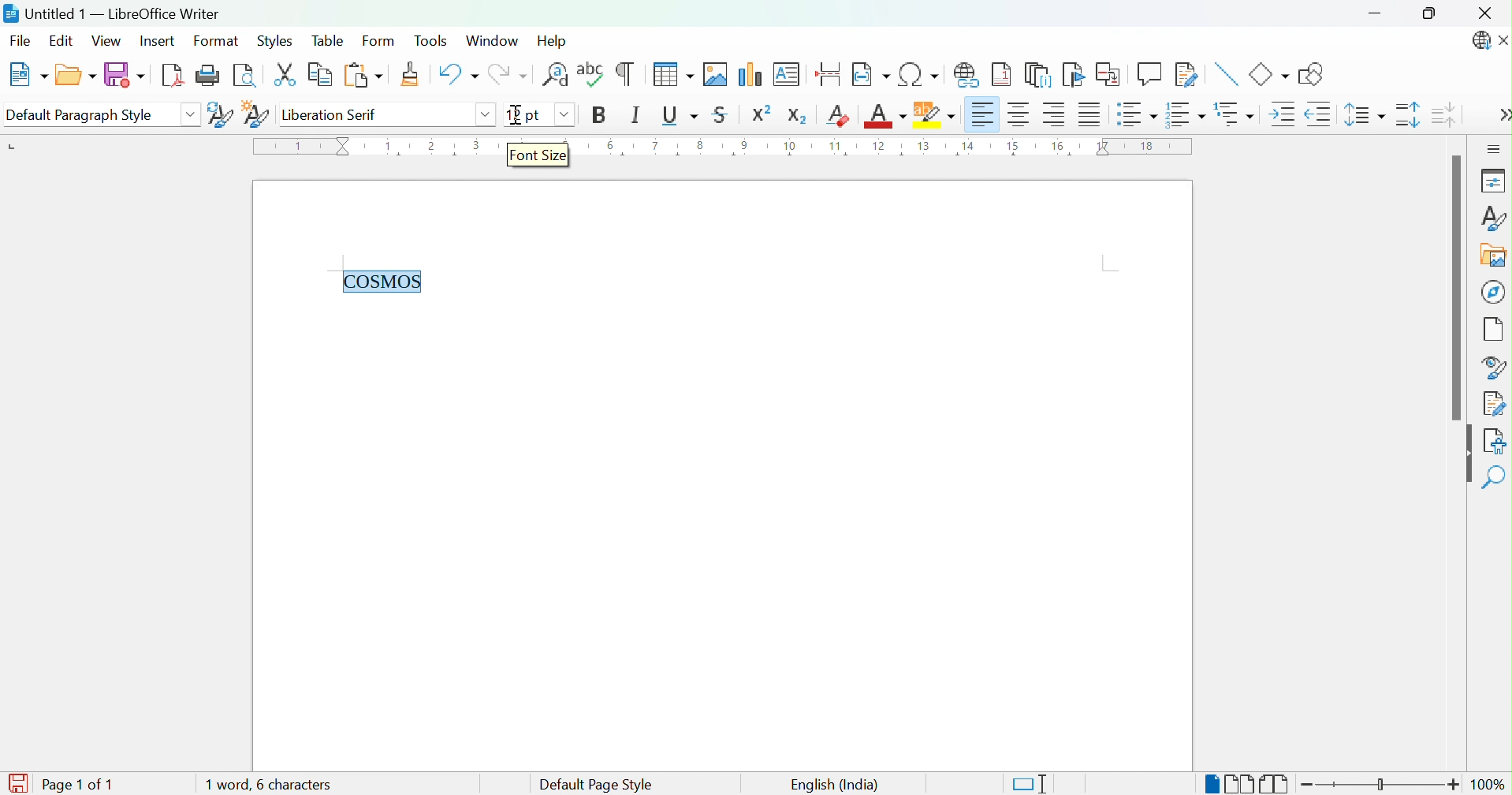 The image size is (1512, 795). I want to click on Font Color, so click(884, 117).